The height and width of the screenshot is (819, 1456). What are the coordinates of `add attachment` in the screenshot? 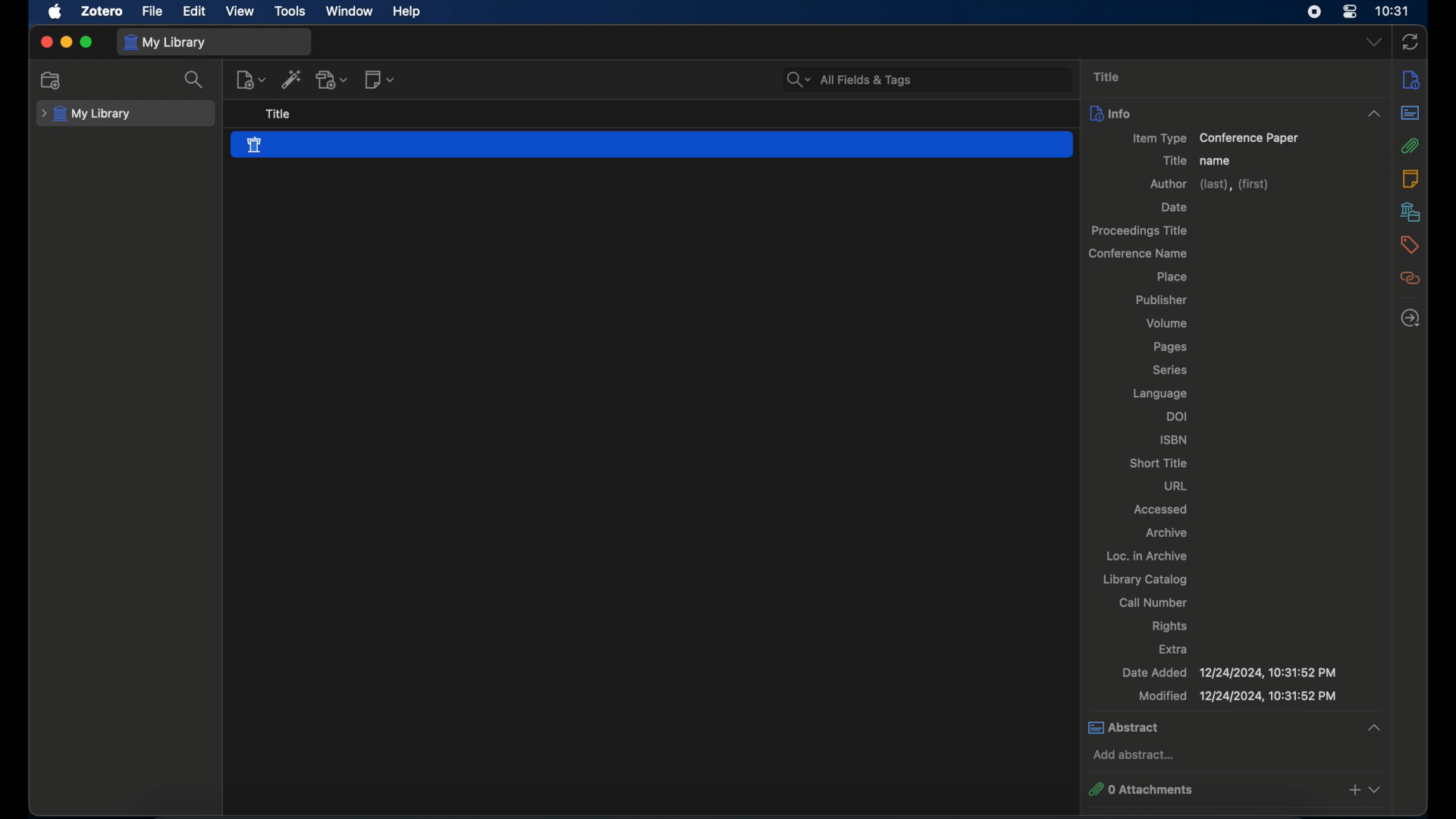 It's located at (332, 79).